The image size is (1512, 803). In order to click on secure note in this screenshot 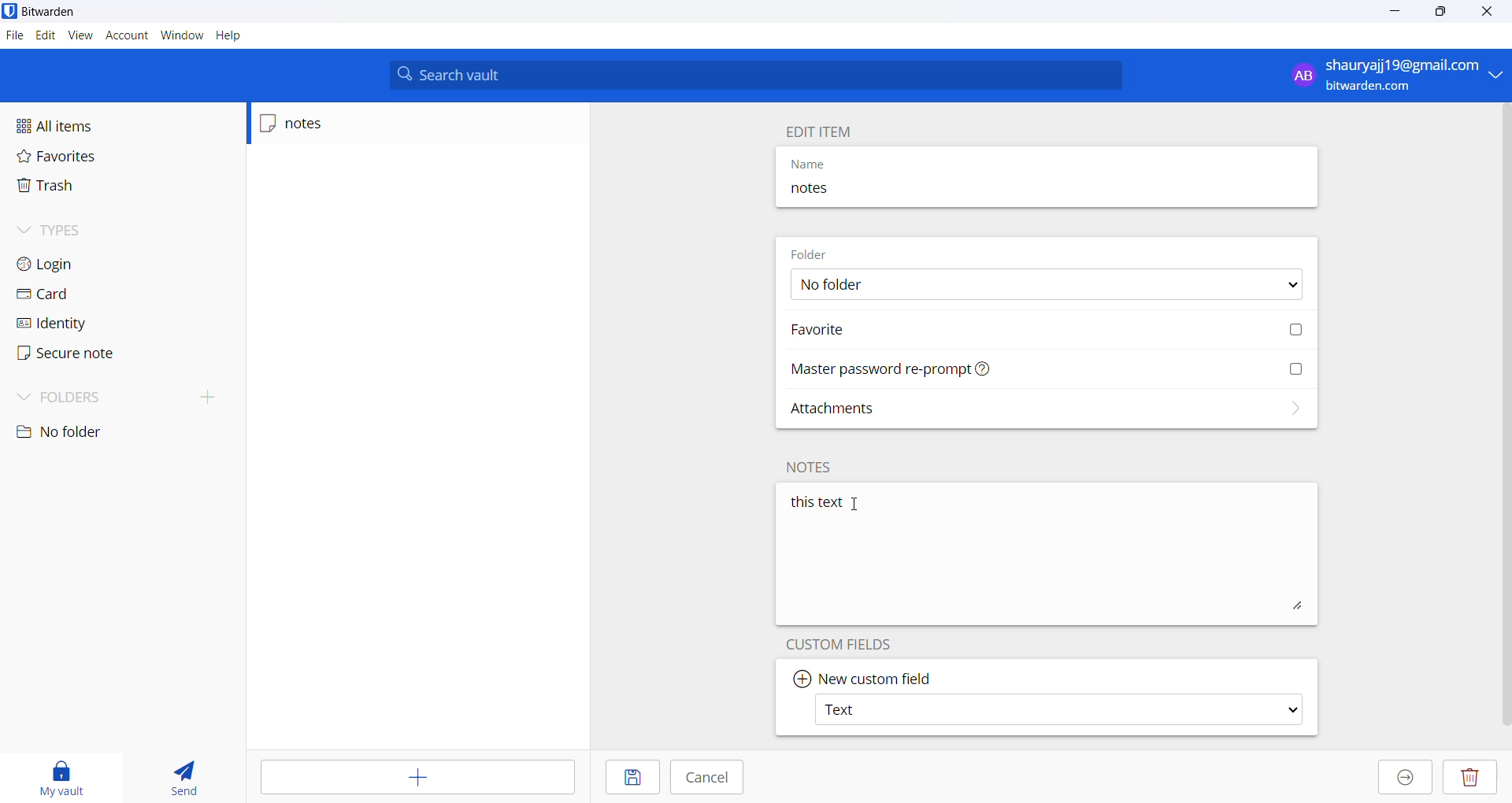, I will do `click(76, 354)`.